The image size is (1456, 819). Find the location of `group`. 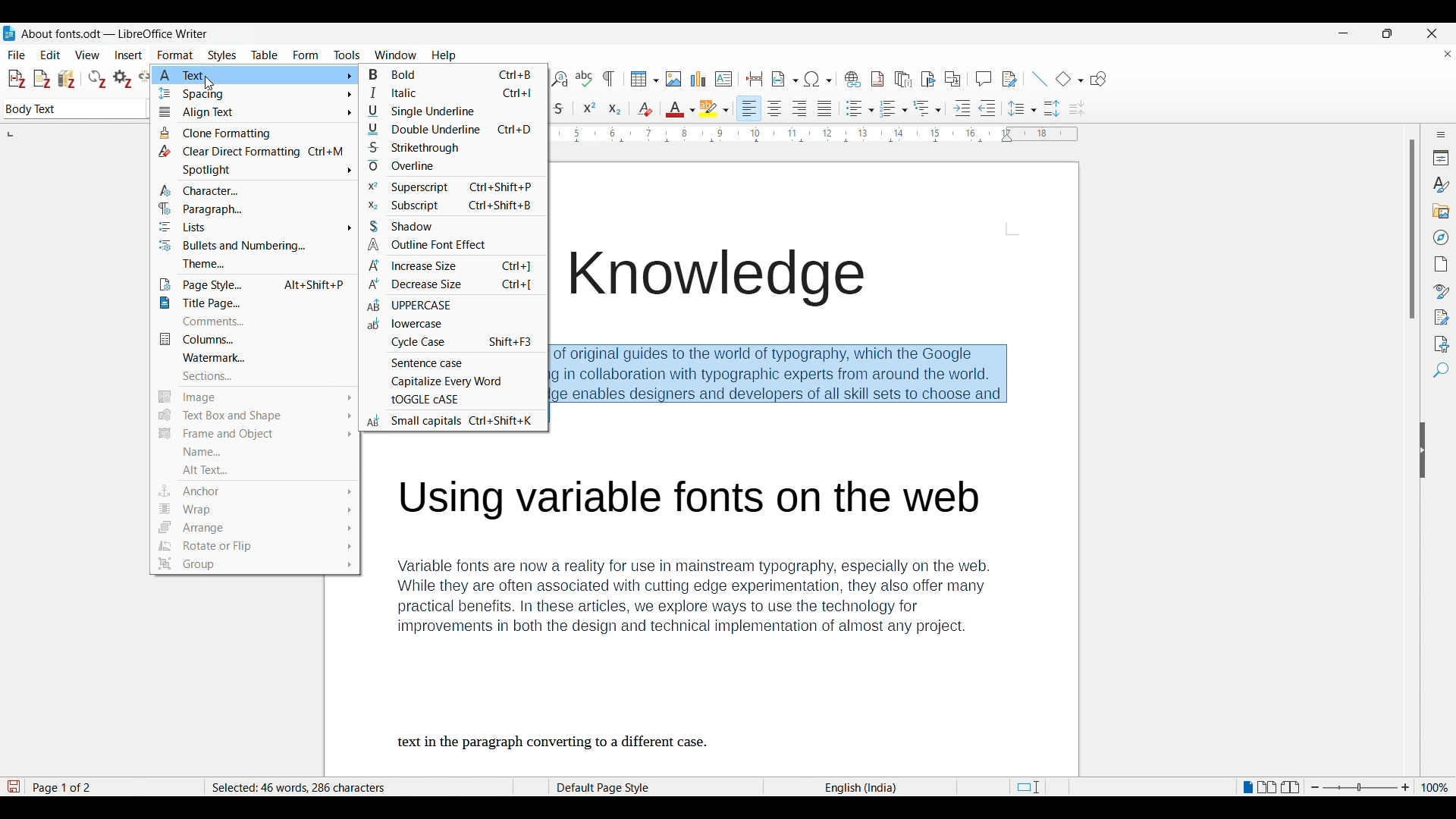

group is located at coordinates (253, 565).